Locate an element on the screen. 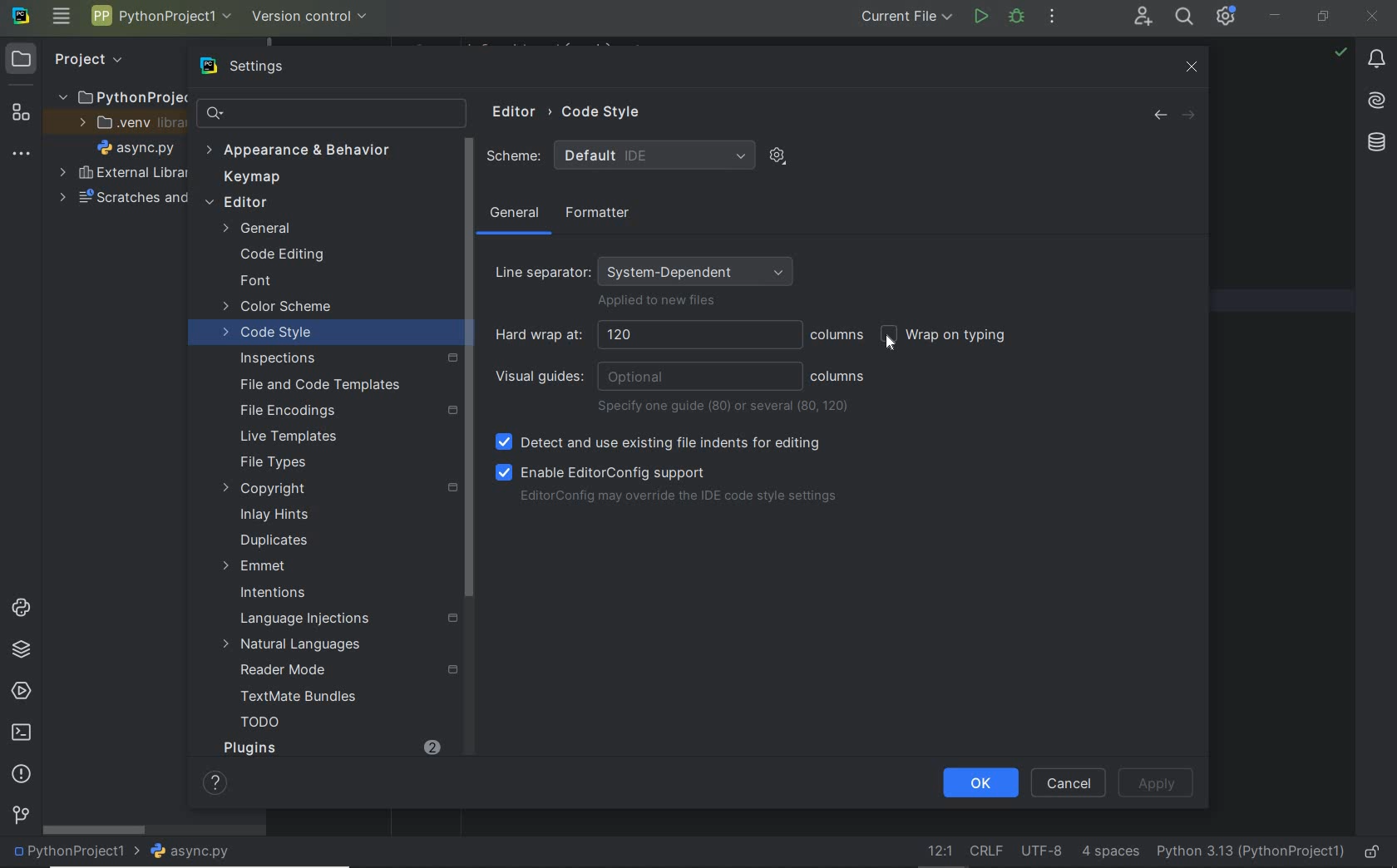  close is located at coordinates (1192, 66).